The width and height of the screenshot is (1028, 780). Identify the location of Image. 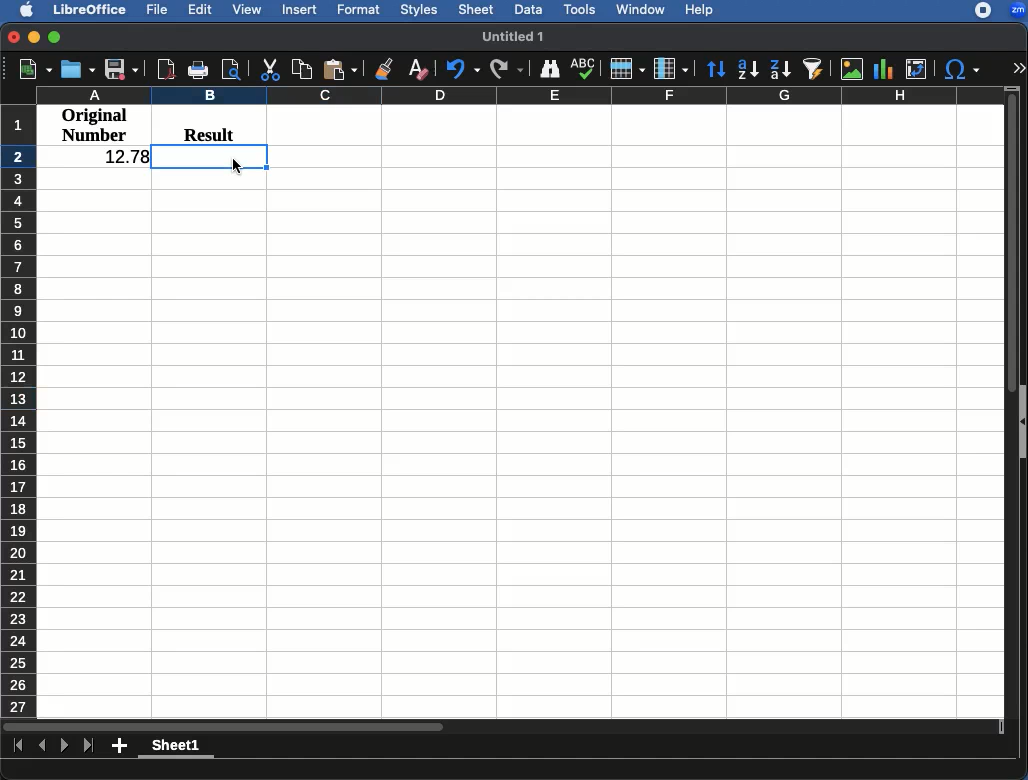
(851, 69).